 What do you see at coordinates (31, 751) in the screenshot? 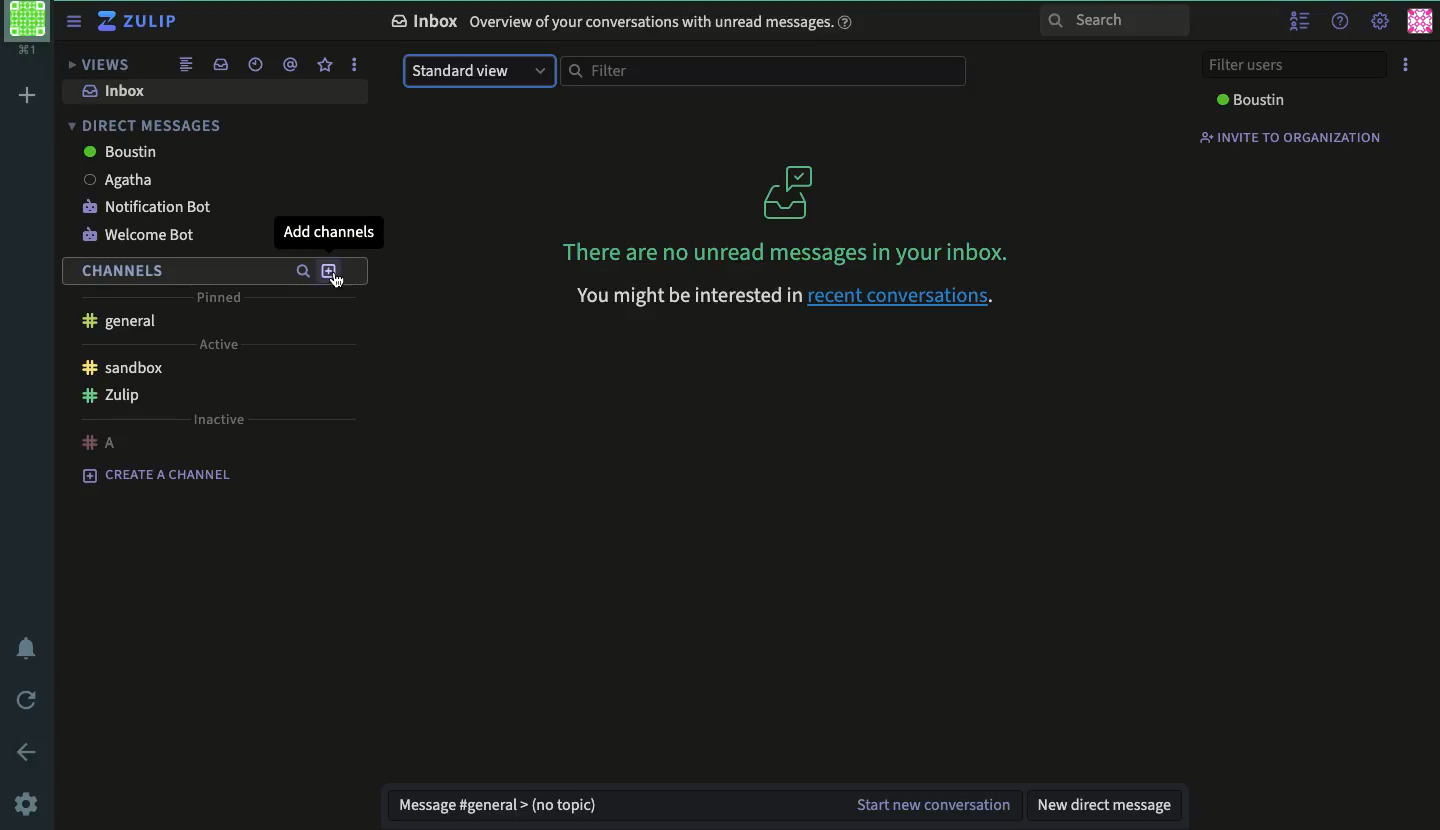
I see `back` at bounding box center [31, 751].